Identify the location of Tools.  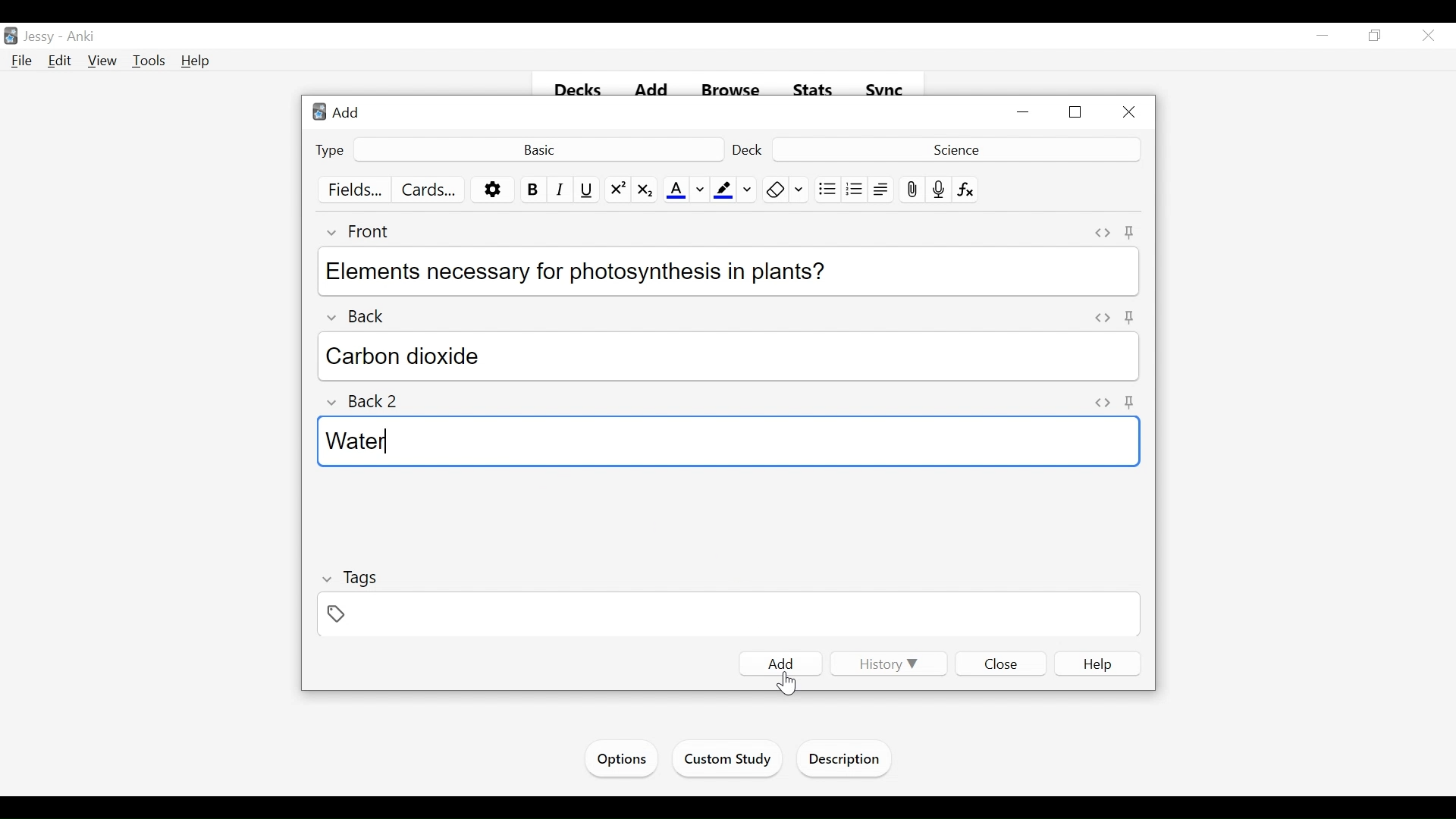
(149, 61).